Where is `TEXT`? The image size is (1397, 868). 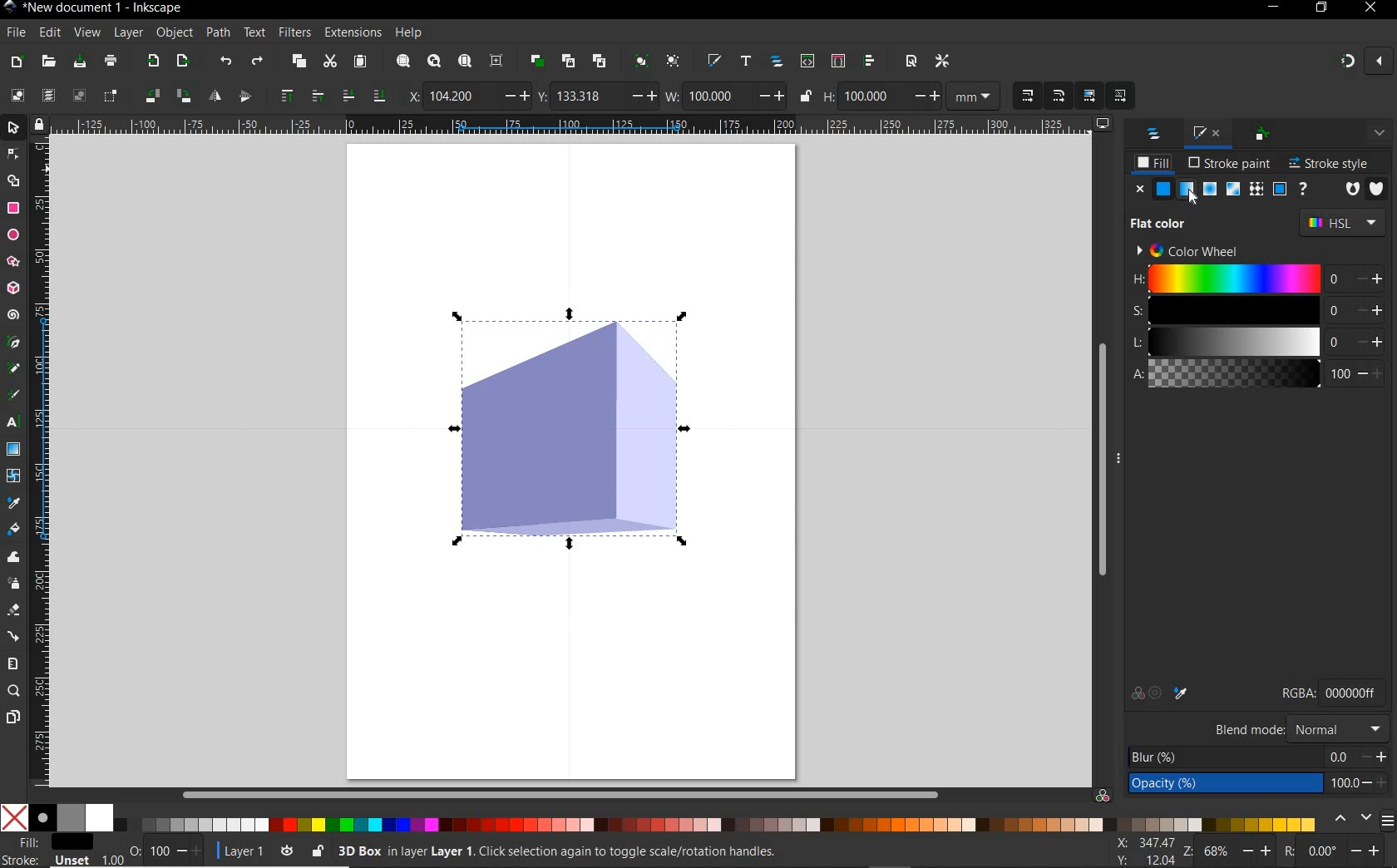
TEXT is located at coordinates (254, 32).